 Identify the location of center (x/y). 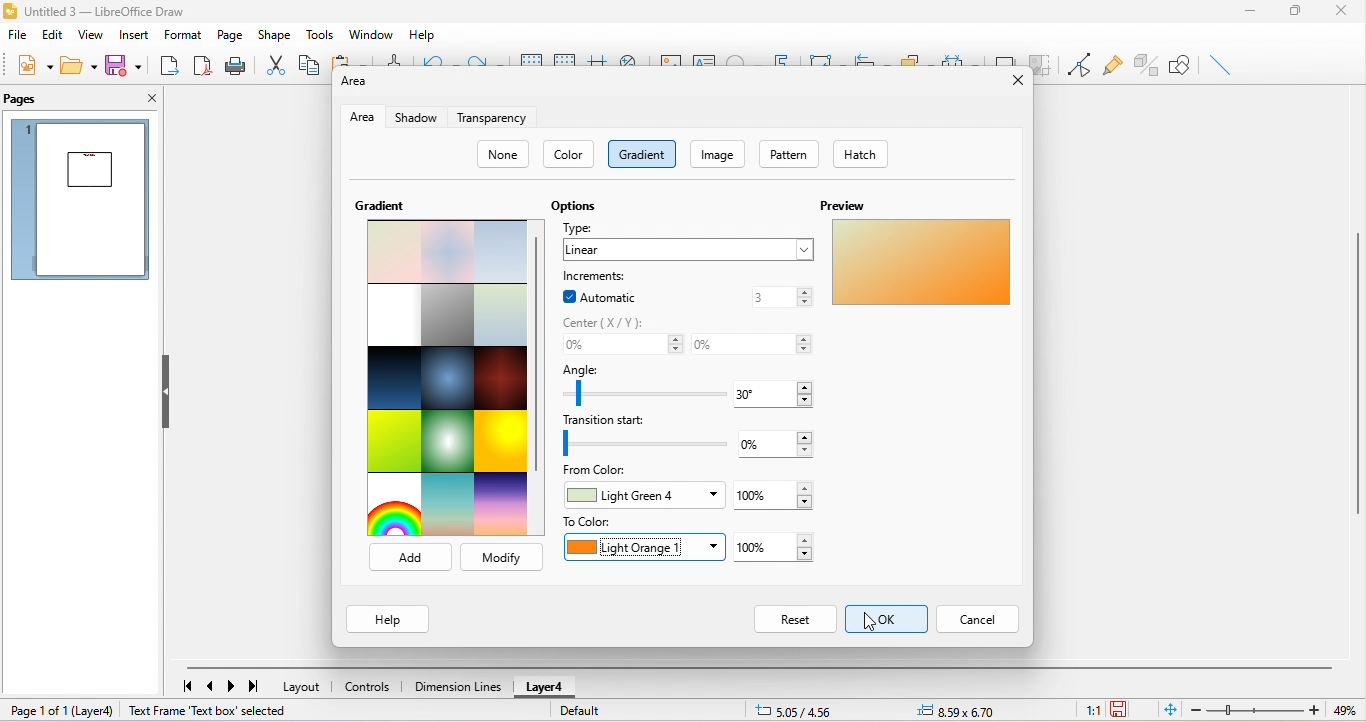
(613, 322).